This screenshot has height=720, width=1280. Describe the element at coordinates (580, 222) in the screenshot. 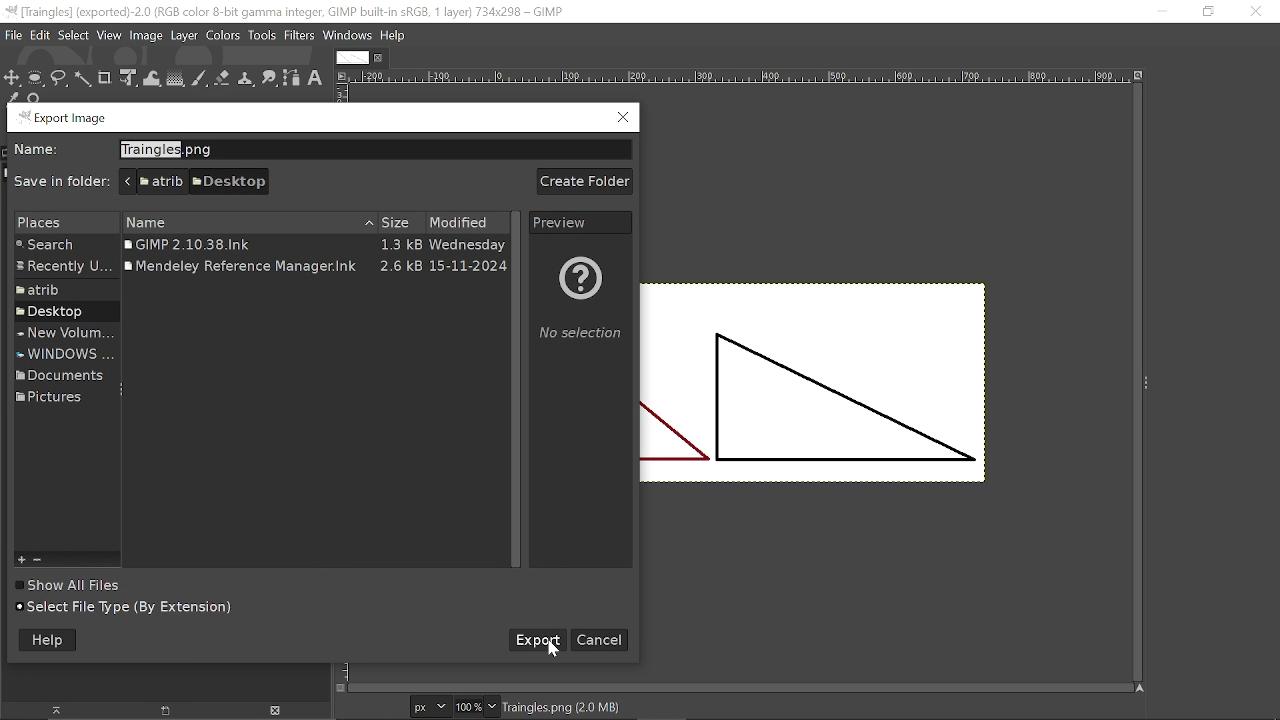

I see `Preview` at that location.